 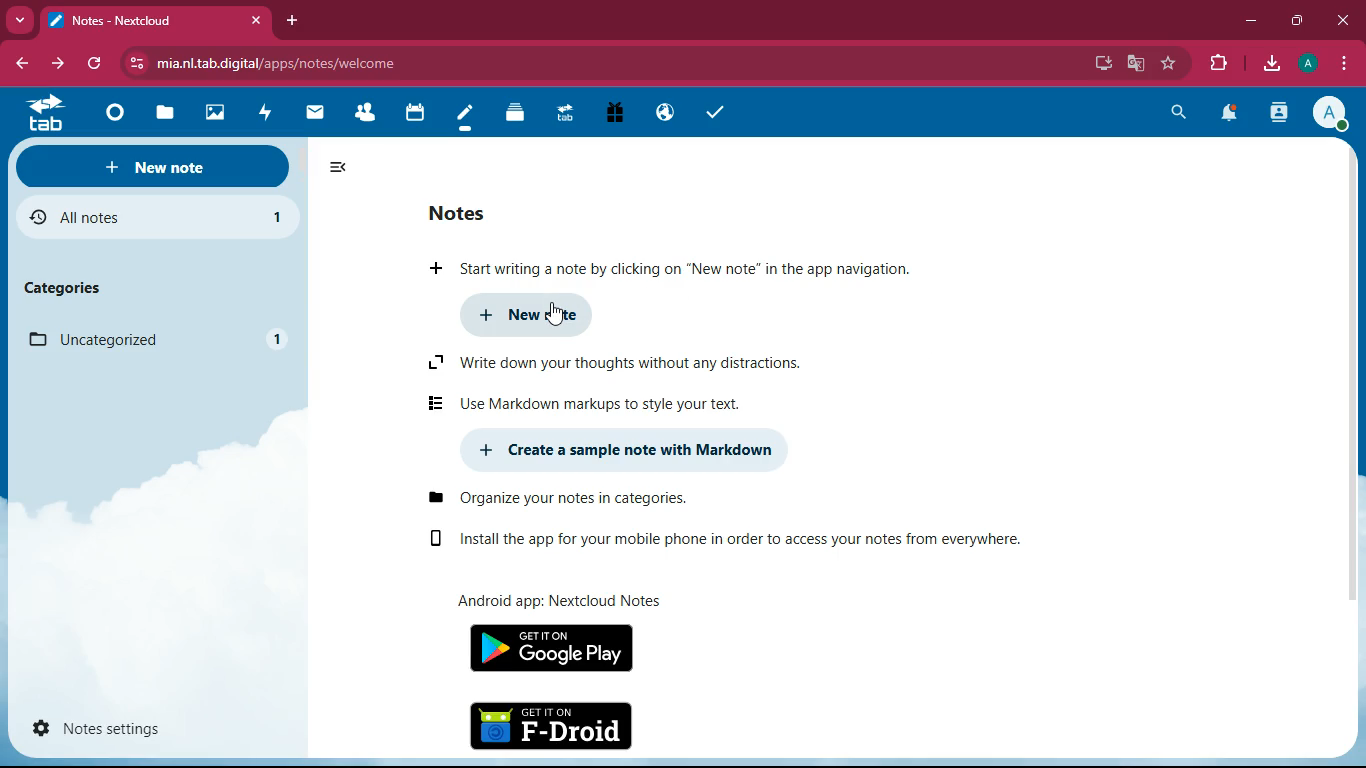 What do you see at coordinates (1100, 64) in the screenshot?
I see `desktop` at bounding box center [1100, 64].